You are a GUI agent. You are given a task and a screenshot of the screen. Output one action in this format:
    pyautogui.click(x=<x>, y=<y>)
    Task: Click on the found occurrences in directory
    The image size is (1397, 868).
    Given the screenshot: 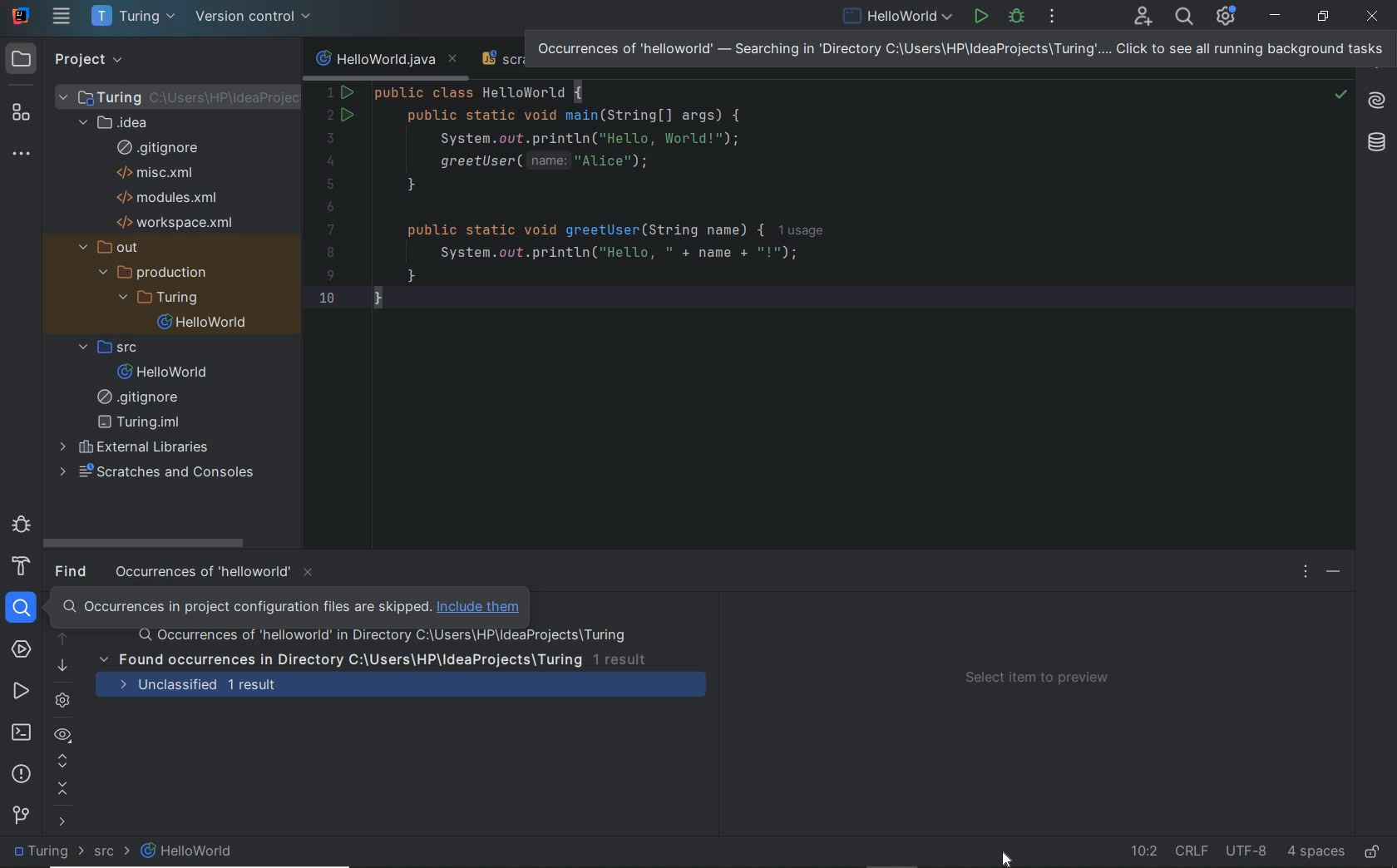 What is the action you would take?
    pyautogui.click(x=371, y=659)
    